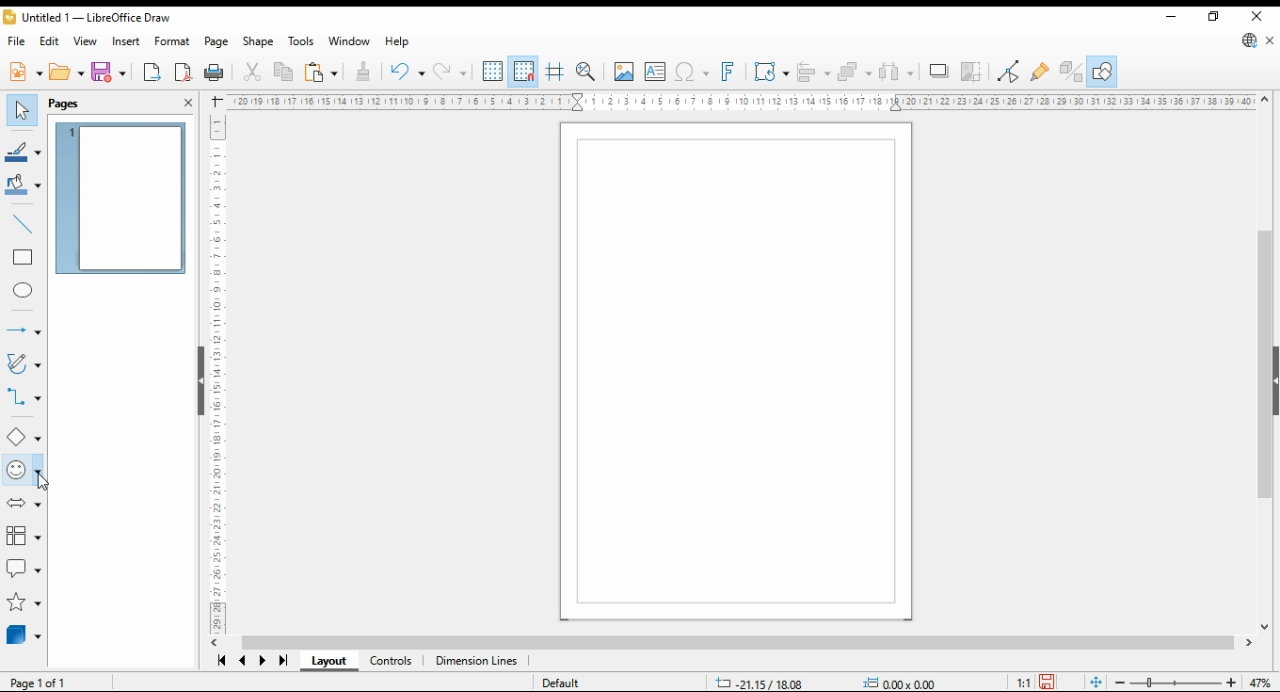 The width and height of the screenshot is (1280, 692). I want to click on tools, so click(302, 41).